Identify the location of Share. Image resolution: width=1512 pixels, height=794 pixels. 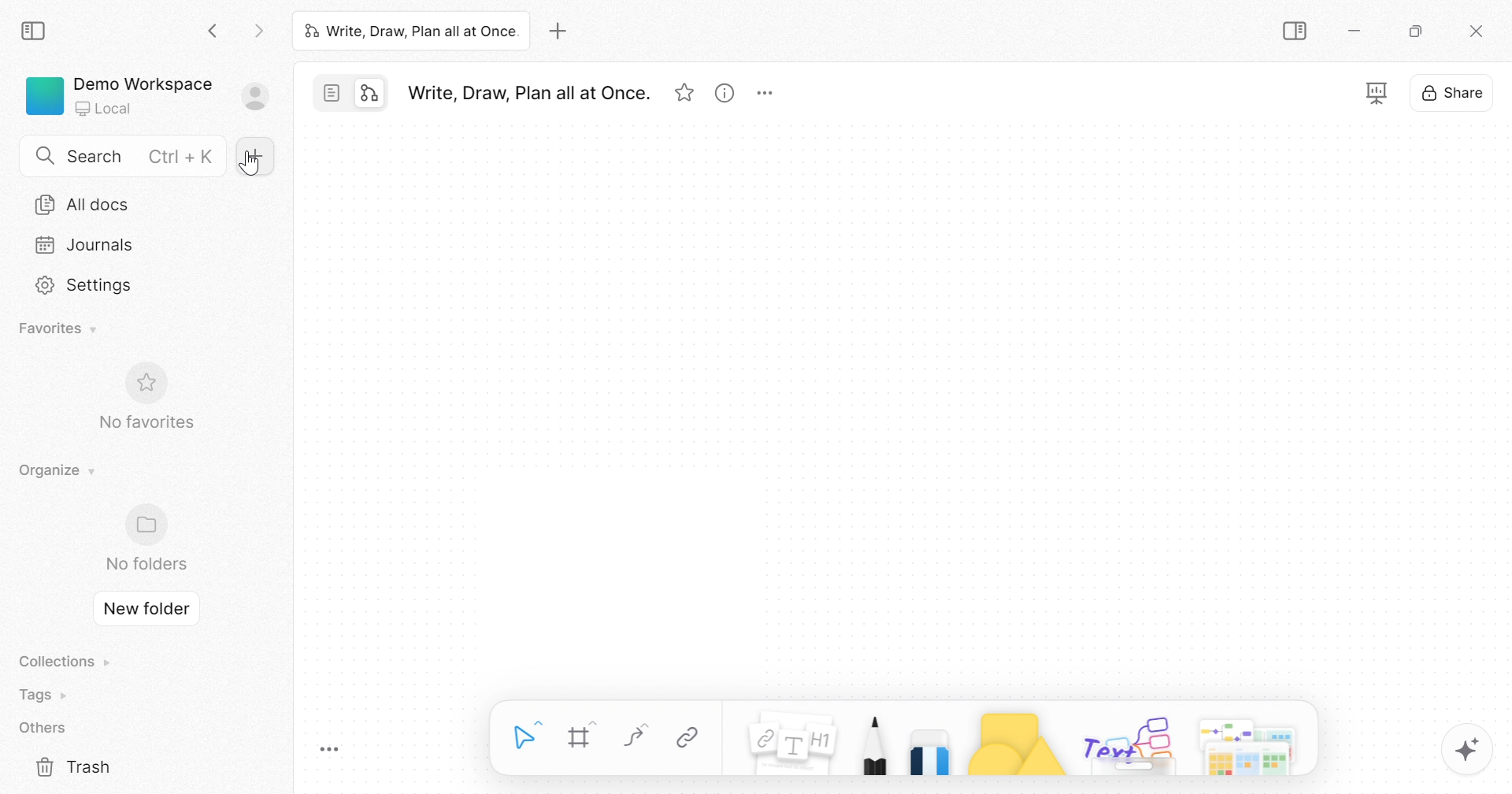
(1454, 95).